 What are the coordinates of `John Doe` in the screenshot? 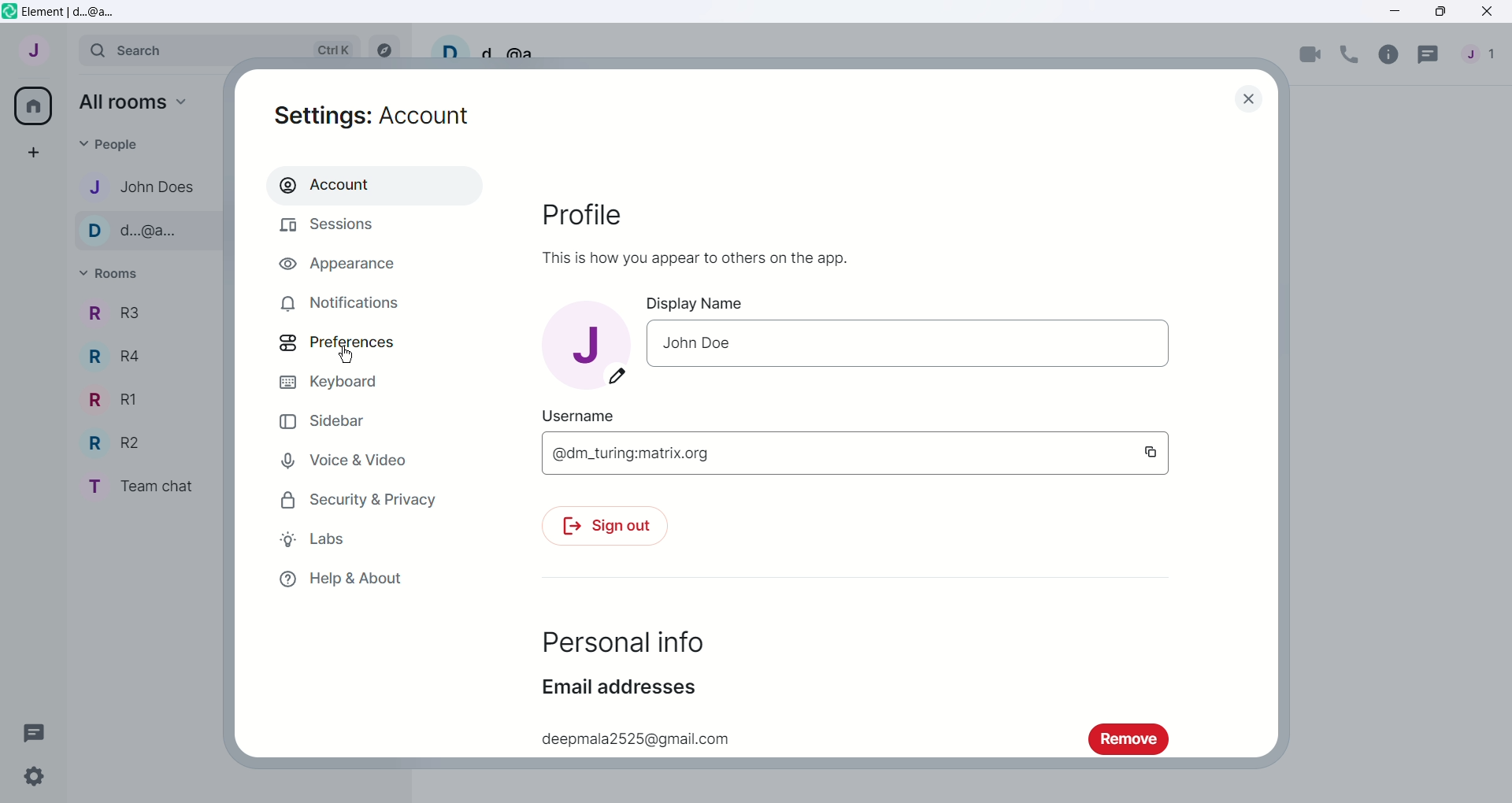 It's located at (697, 342).